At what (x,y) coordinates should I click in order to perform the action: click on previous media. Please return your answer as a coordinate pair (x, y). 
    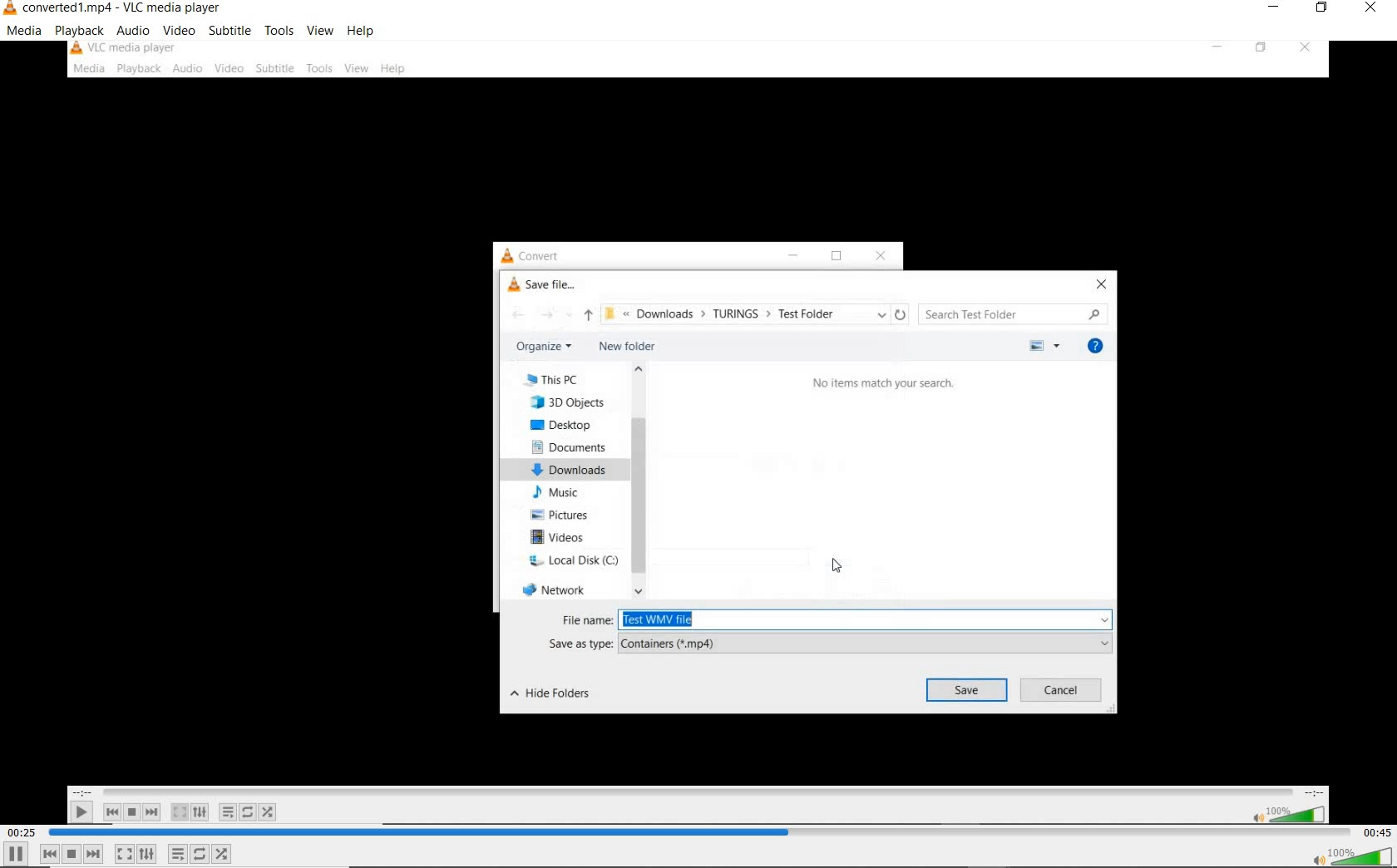
    Looking at the image, I should click on (50, 854).